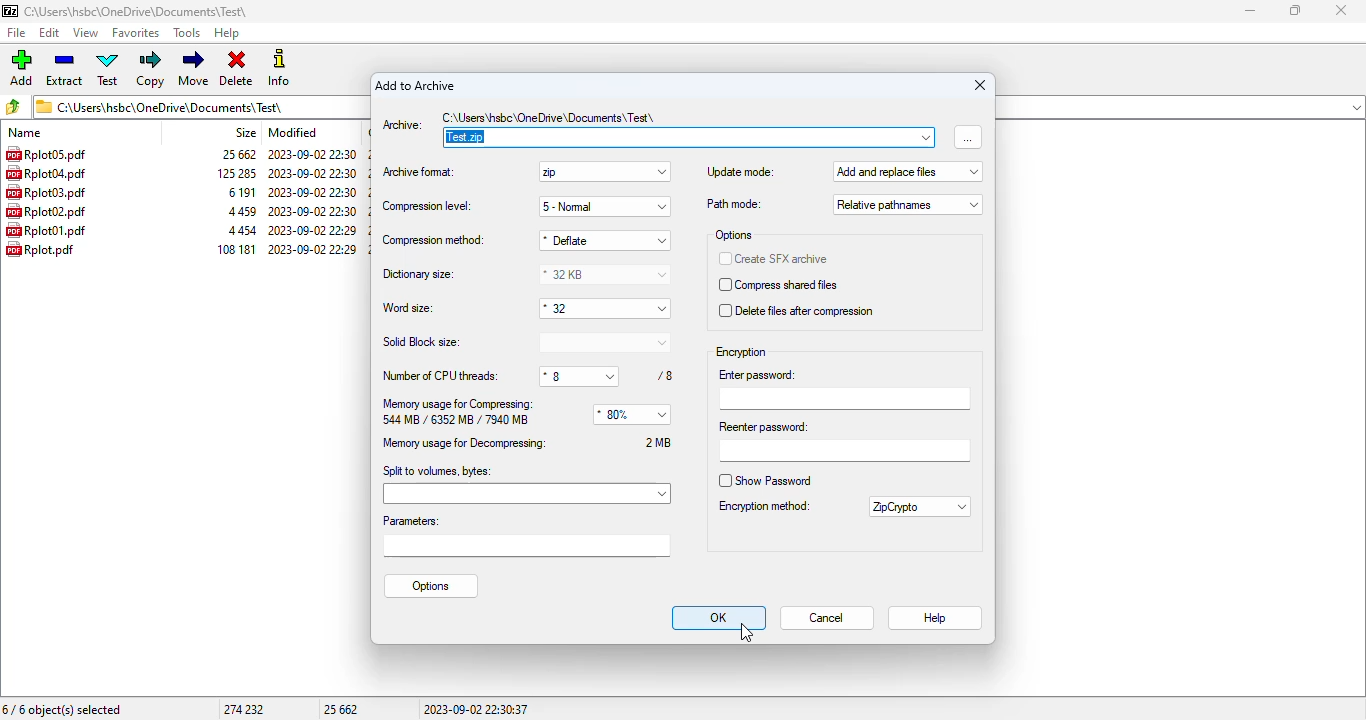  What do you see at coordinates (237, 154) in the screenshot?
I see `size` at bounding box center [237, 154].